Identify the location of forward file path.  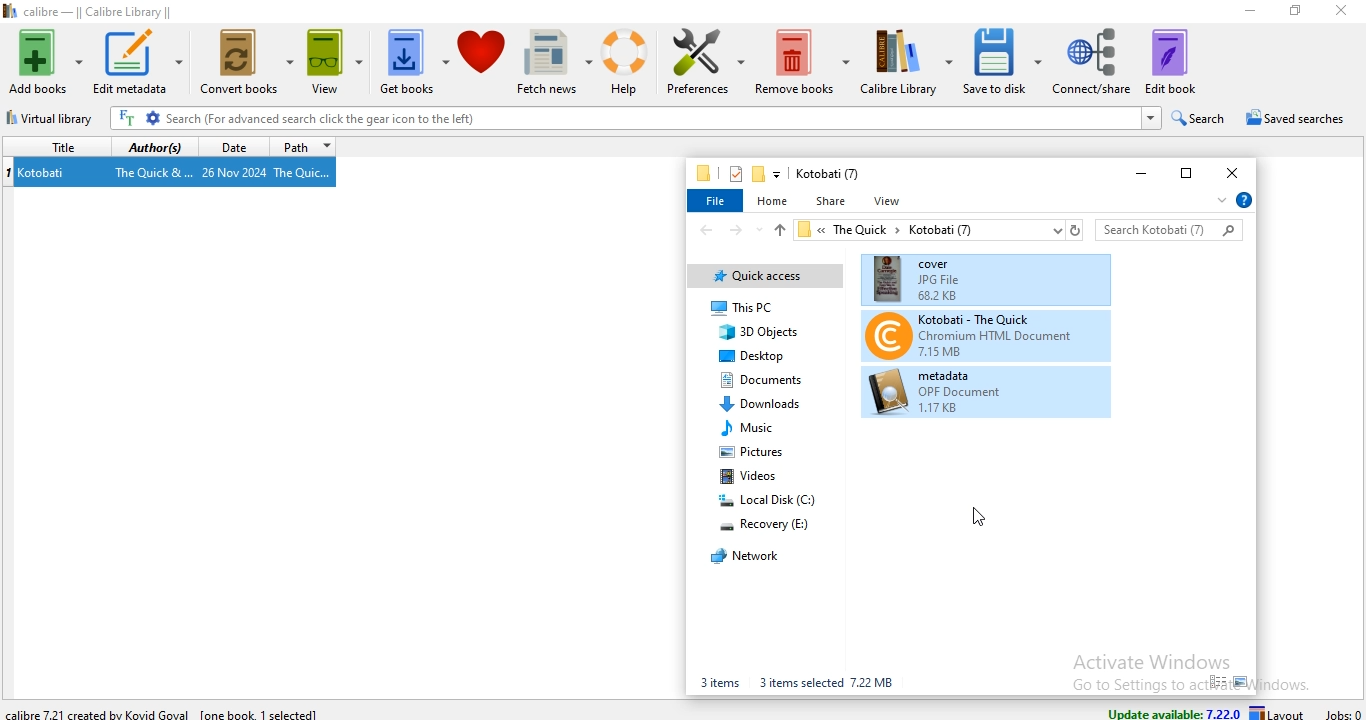
(738, 231).